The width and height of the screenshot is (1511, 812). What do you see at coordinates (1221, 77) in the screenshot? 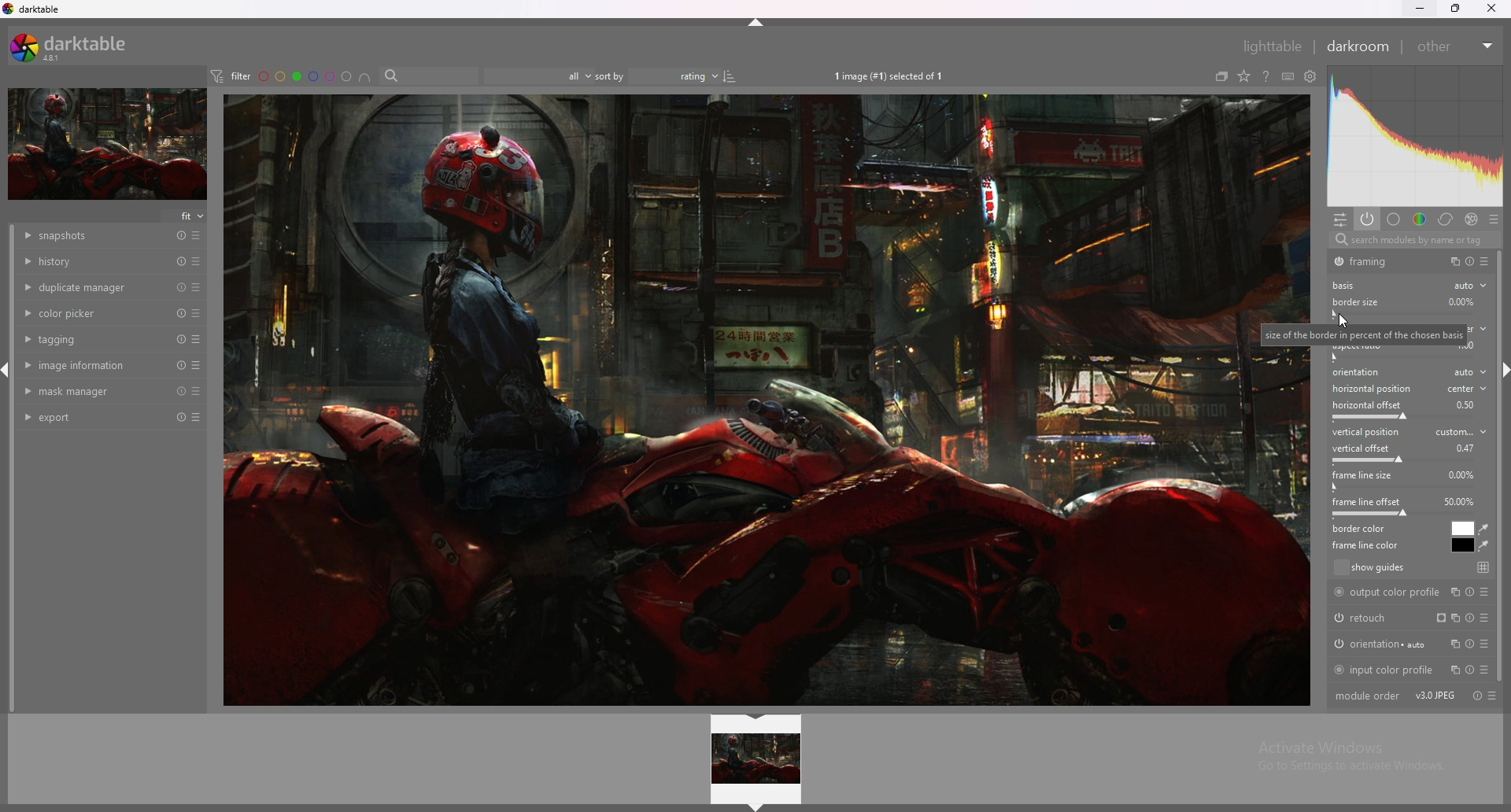
I see `collapse grouped images` at bounding box center [1221, 77].